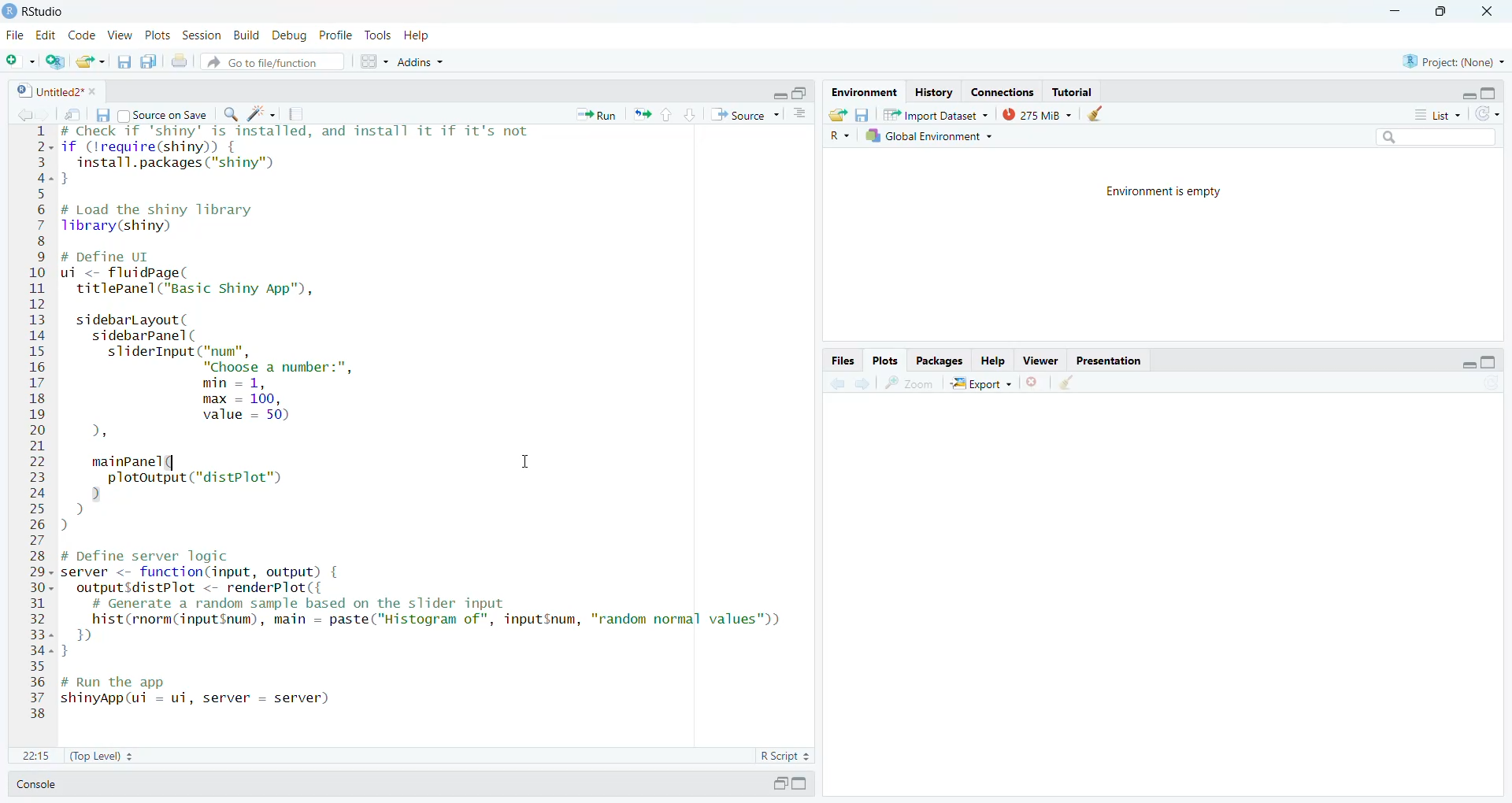 This screenshot has width=1512, height=803. I want to click on History, so click(934, 94).